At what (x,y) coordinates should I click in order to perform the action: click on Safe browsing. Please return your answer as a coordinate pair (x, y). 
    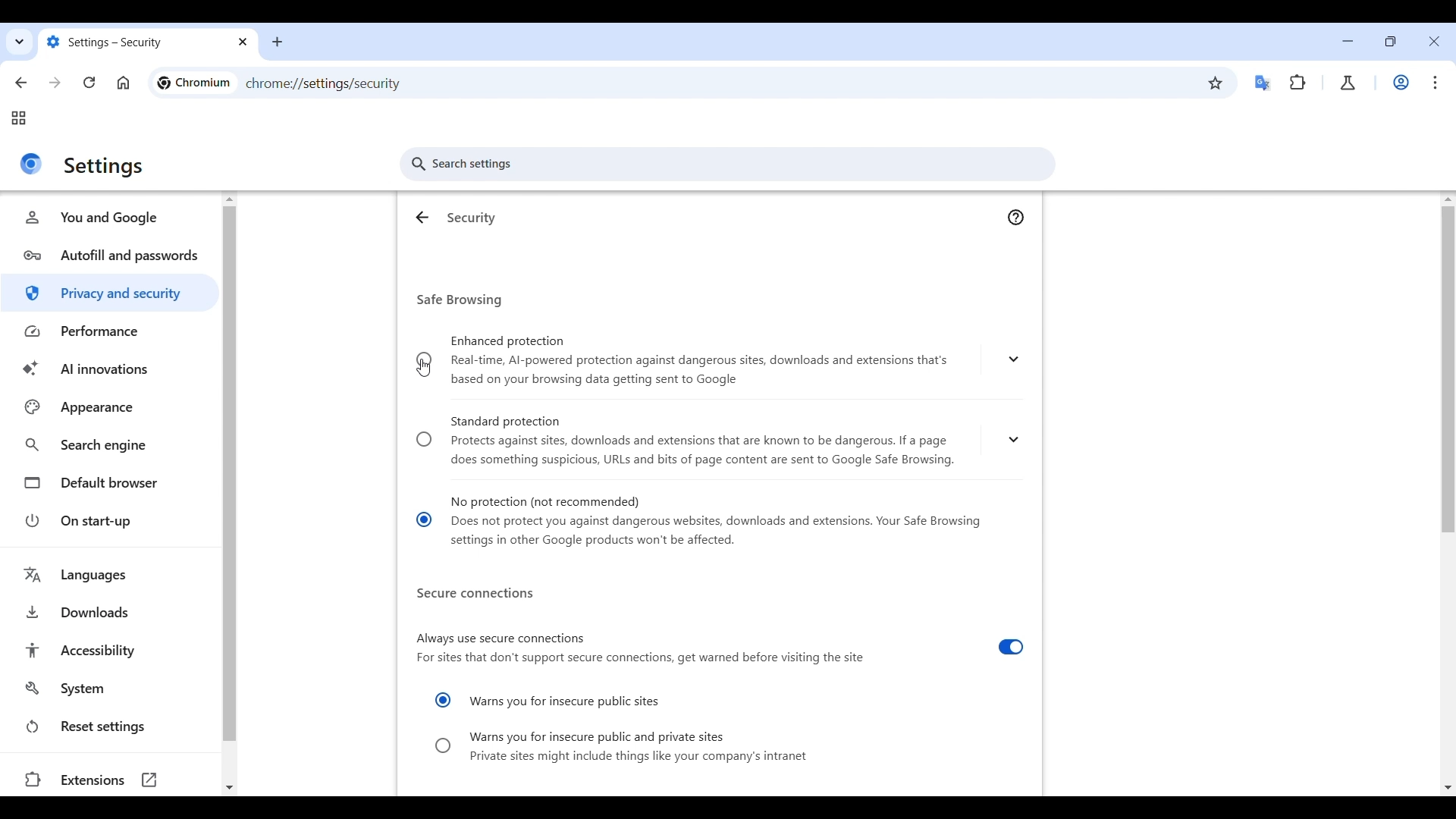
    Looking at the image, I should click on (460, 300).